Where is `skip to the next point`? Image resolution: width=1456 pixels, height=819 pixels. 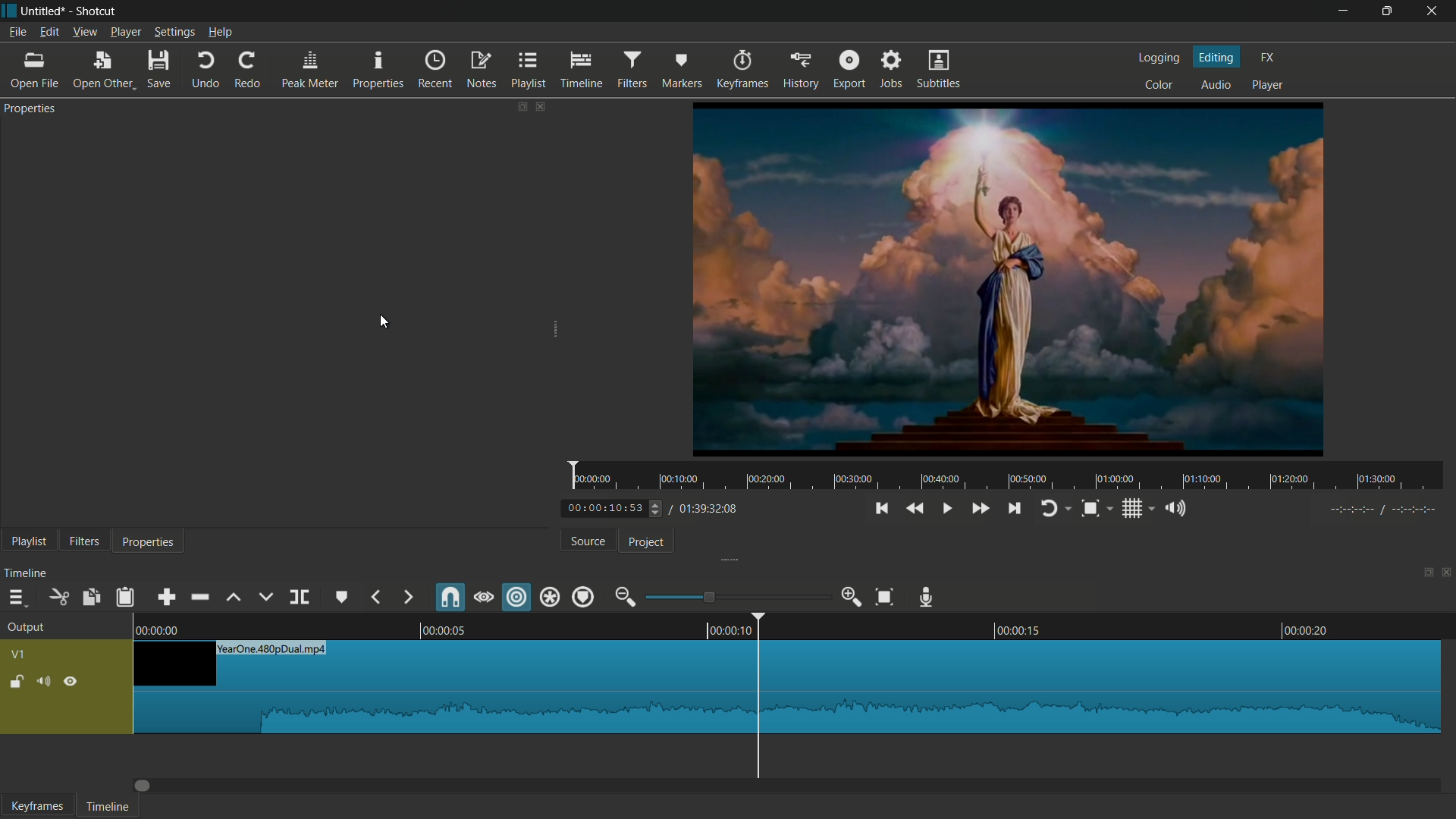 skip to the next point is located at coordinates (1013, 508).